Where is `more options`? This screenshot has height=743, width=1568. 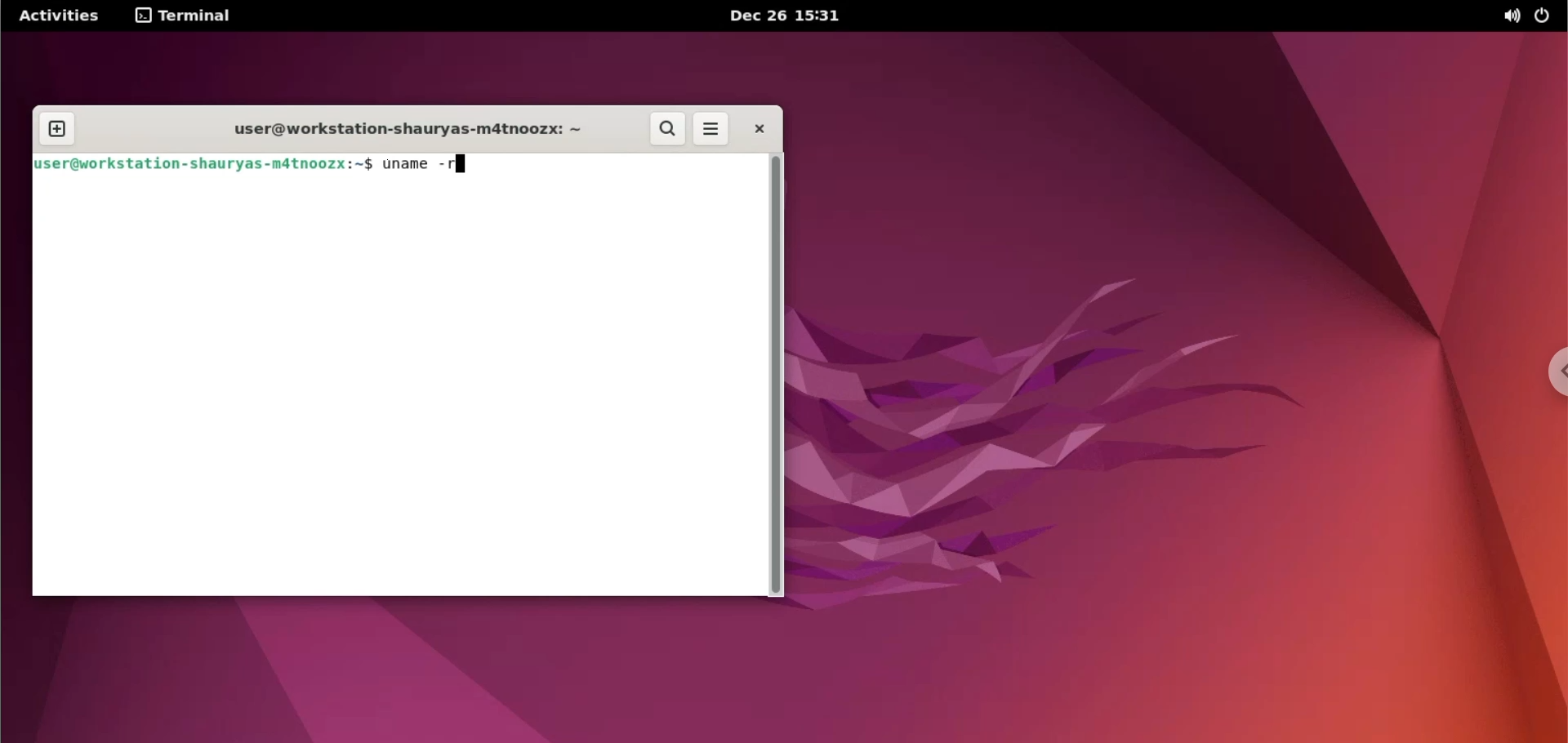
more options is located at coordinates (712, 130).